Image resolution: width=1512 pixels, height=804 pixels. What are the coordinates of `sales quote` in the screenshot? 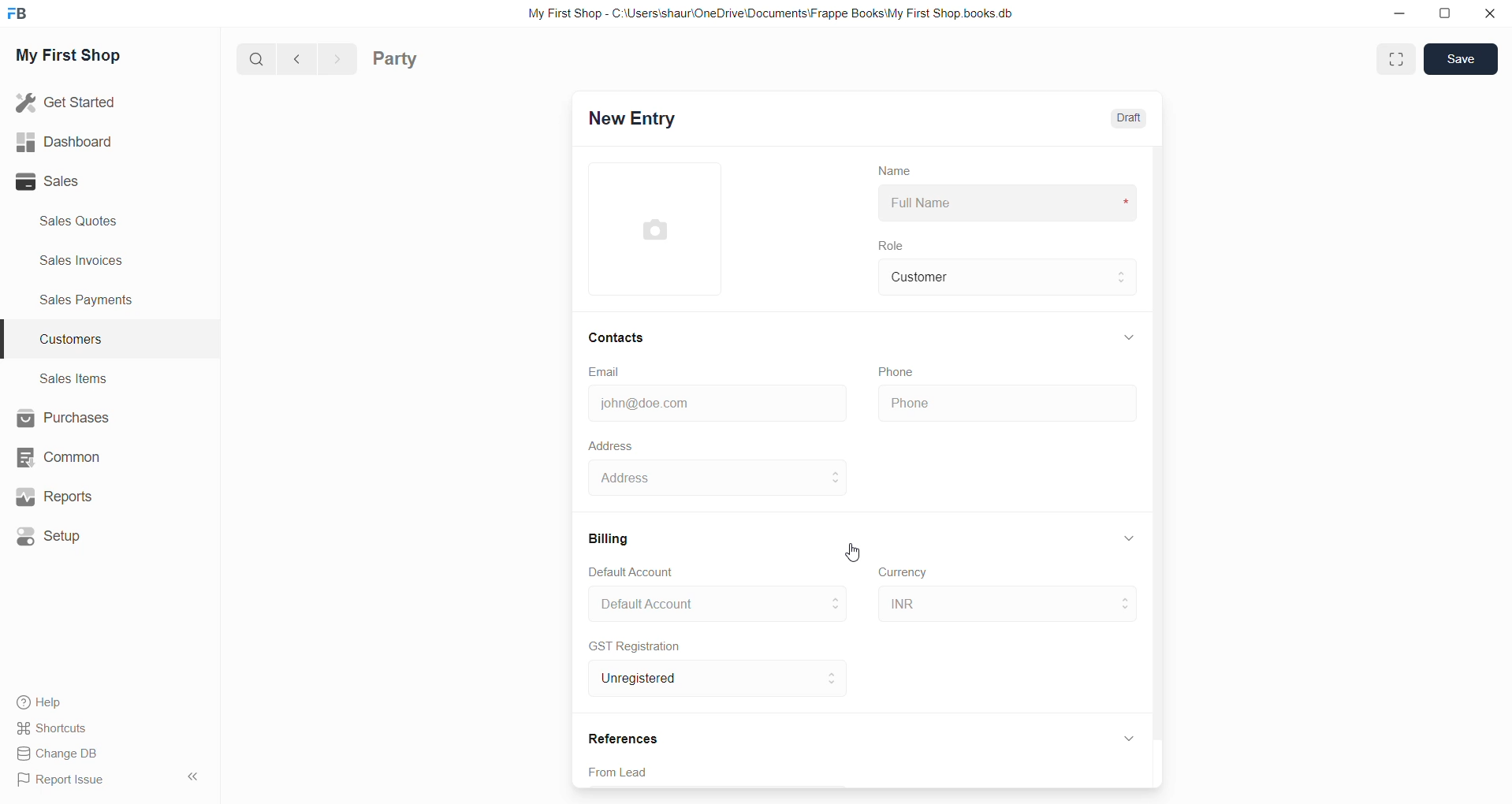 It's located at (88, 221).